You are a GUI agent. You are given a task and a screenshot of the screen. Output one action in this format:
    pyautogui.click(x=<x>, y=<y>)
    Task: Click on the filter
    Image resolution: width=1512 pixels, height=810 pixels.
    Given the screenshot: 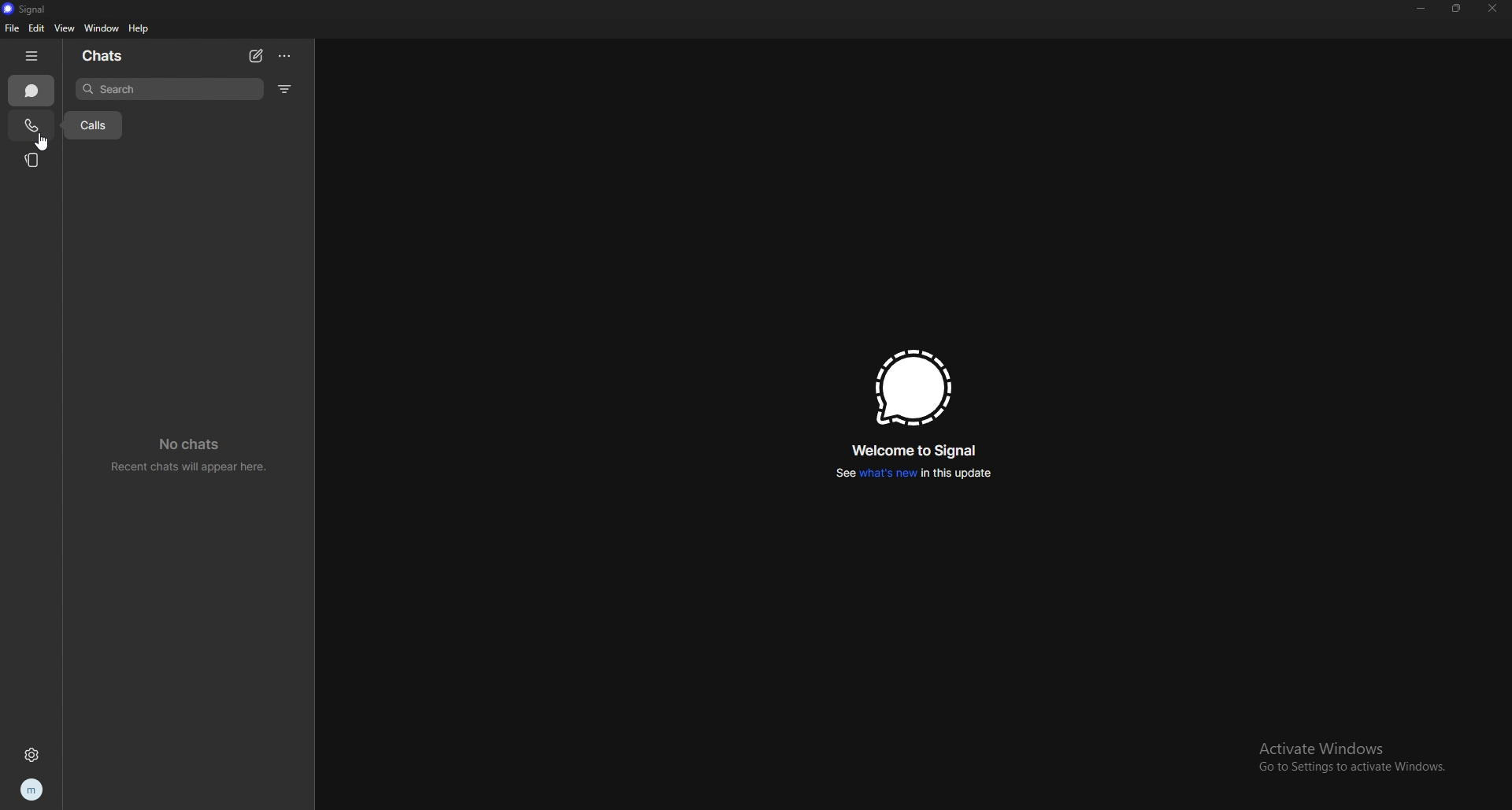 What is the action you would take?
    pyautogui.click(x=287, y=88)
    